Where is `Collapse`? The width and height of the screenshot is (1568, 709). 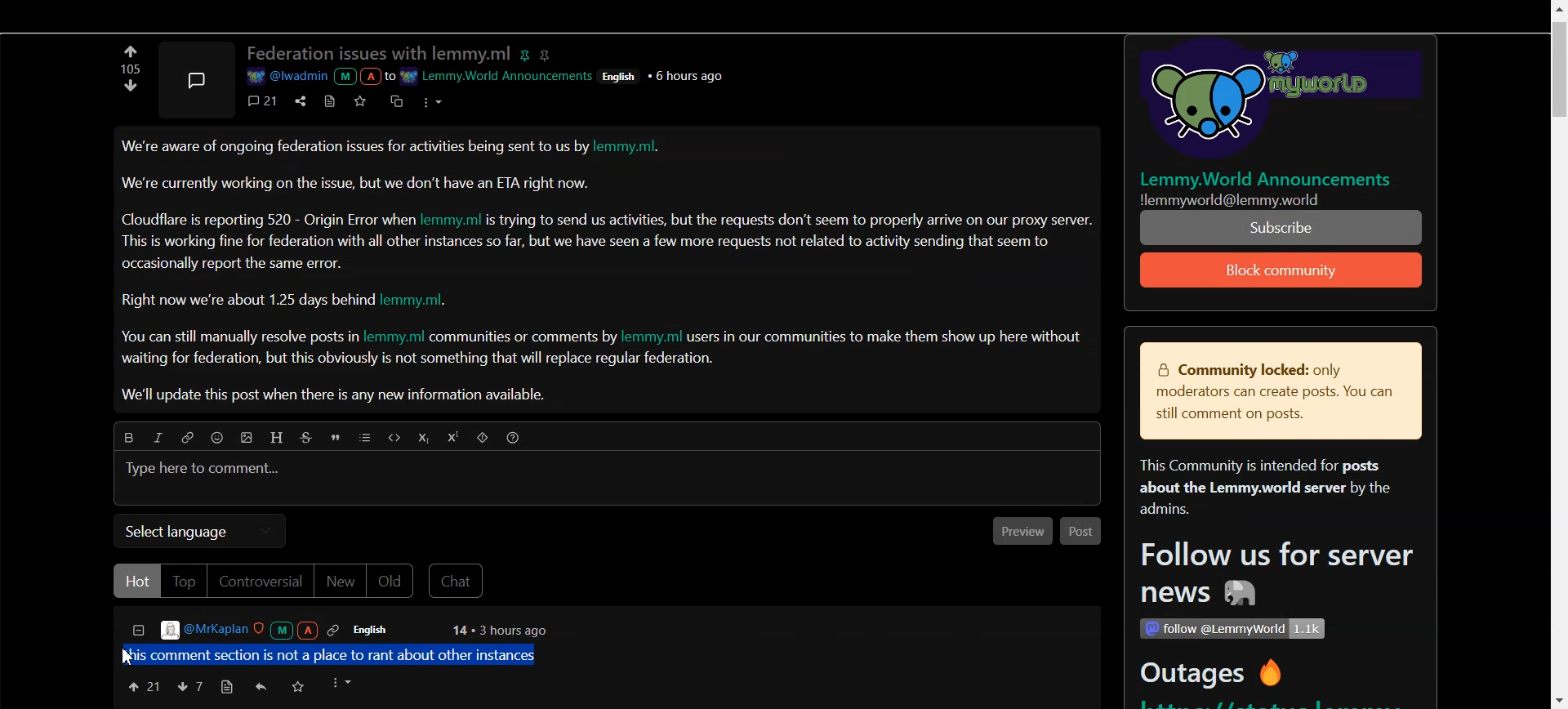
Collapse is located at coordinates (137, 632).